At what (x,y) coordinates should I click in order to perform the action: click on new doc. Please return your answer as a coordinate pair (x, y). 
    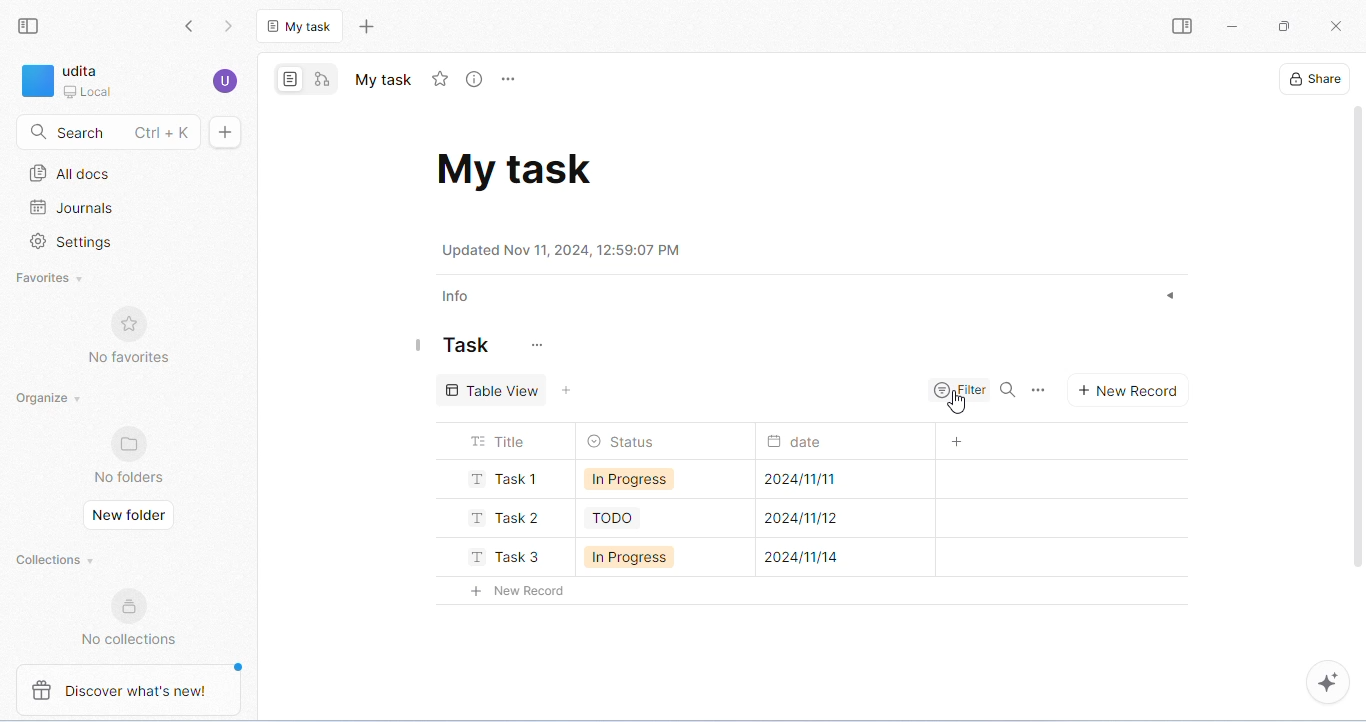
    Looking at the image, I should click on (225, 132).